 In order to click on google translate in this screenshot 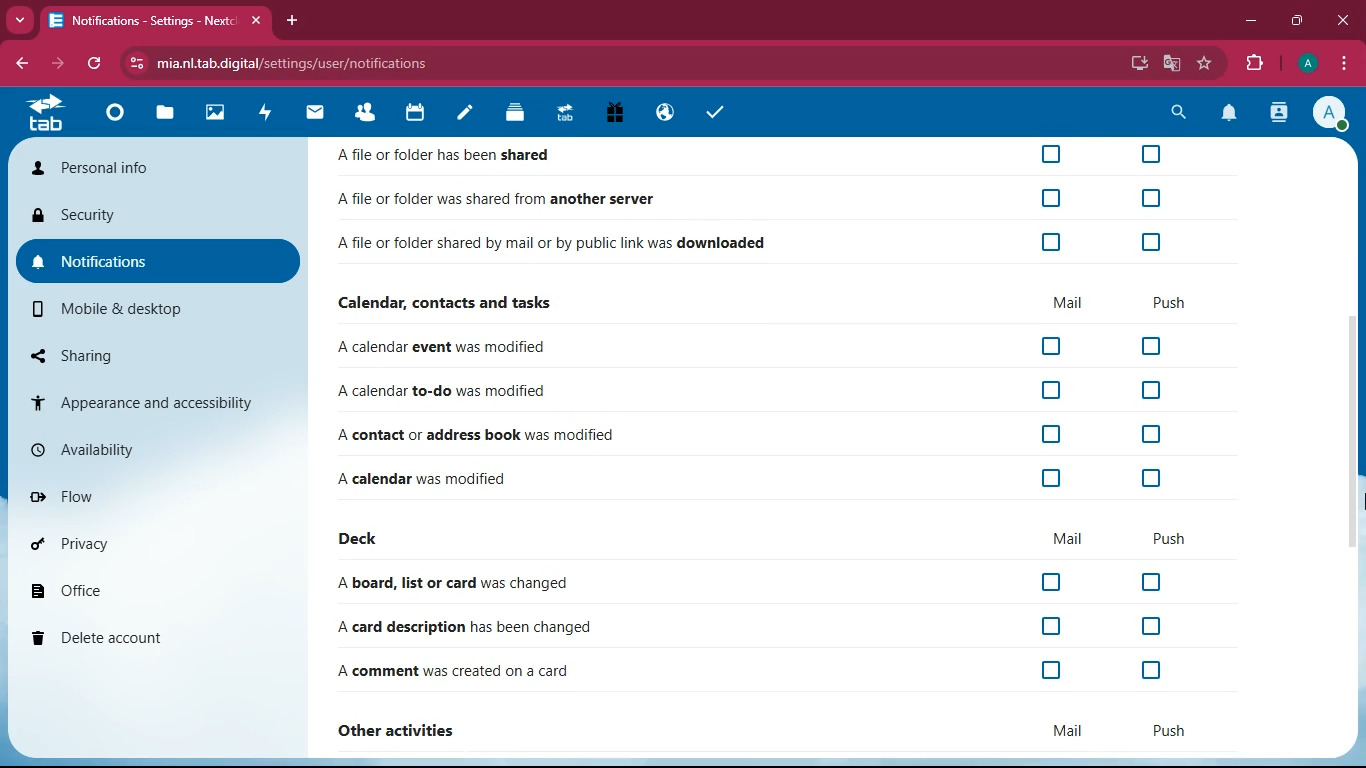, I will do `click(1170, 64)`.